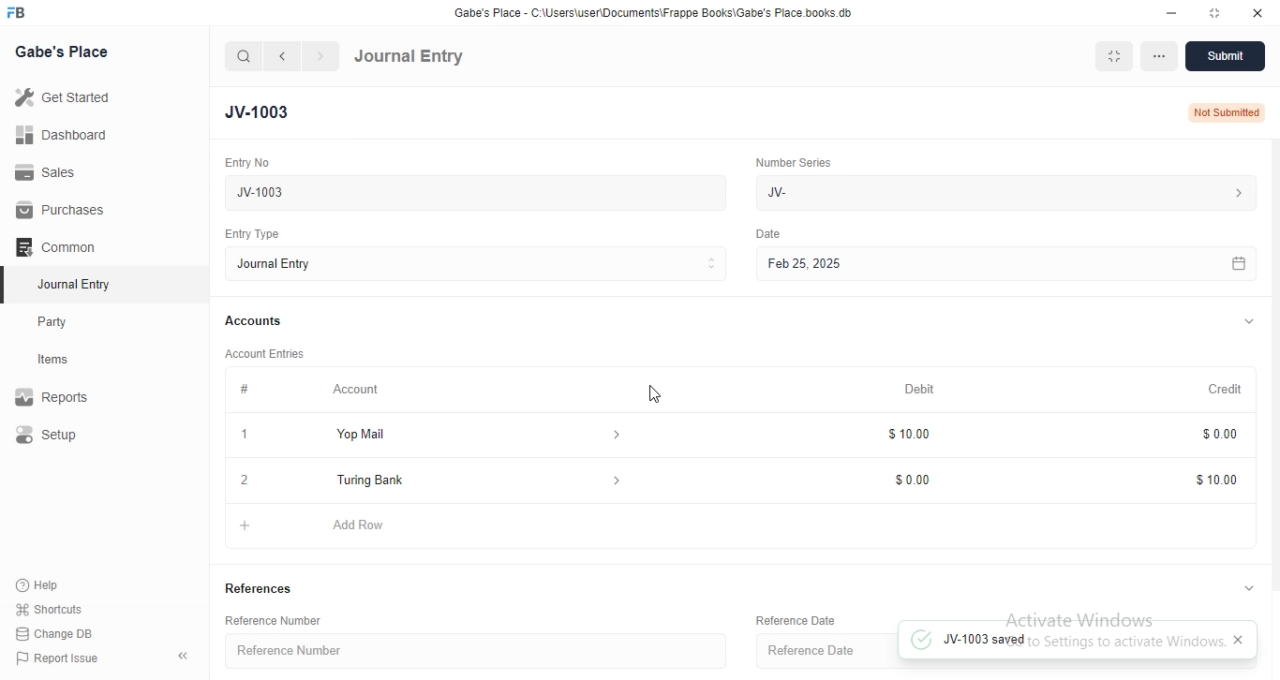 Image resolution: width=1280 pixels, height=680 pixels. I want to click on References, so click(262, 588).